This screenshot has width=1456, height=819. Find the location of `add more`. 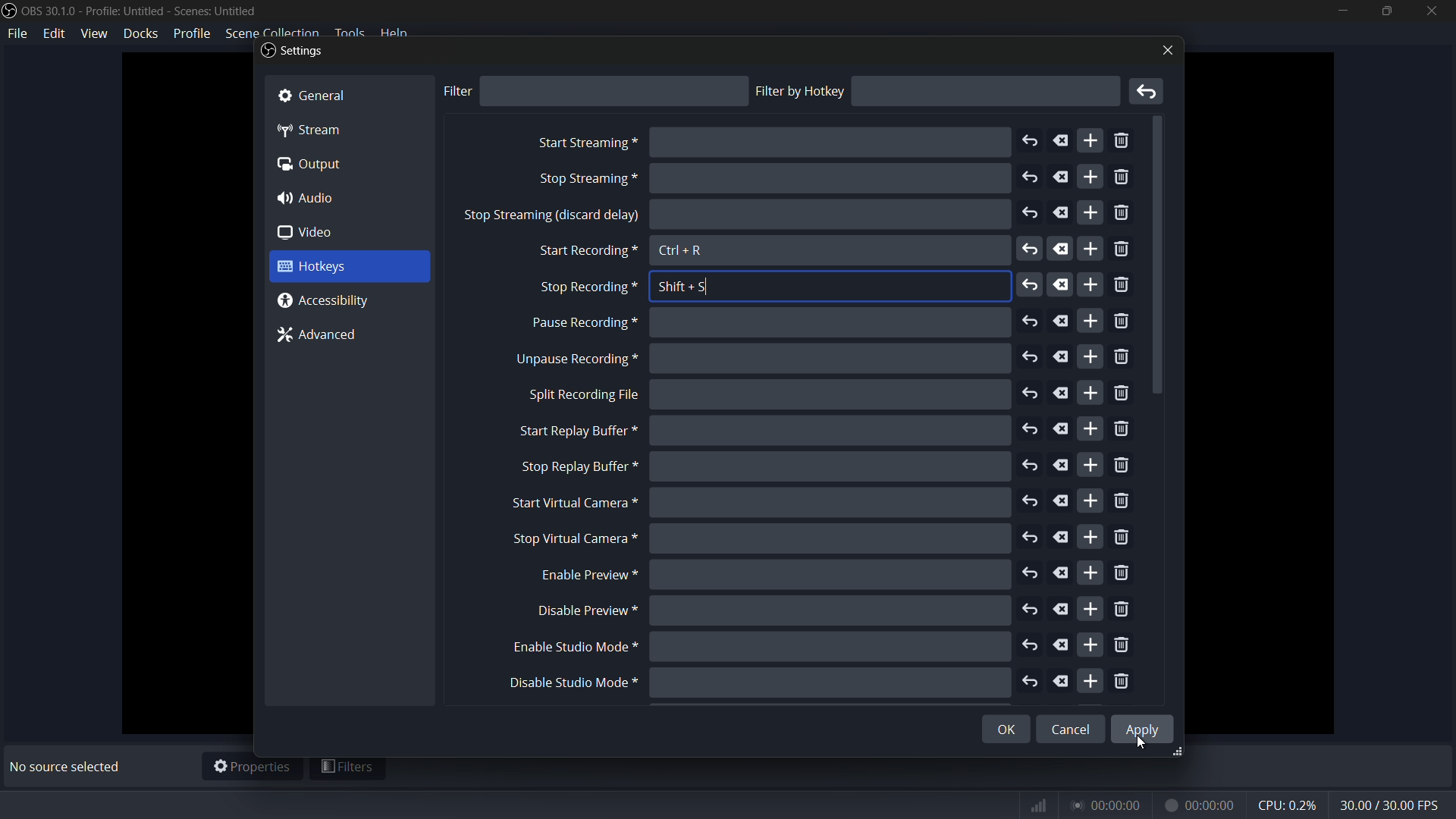

add more is located at coordinates (1088, 284).